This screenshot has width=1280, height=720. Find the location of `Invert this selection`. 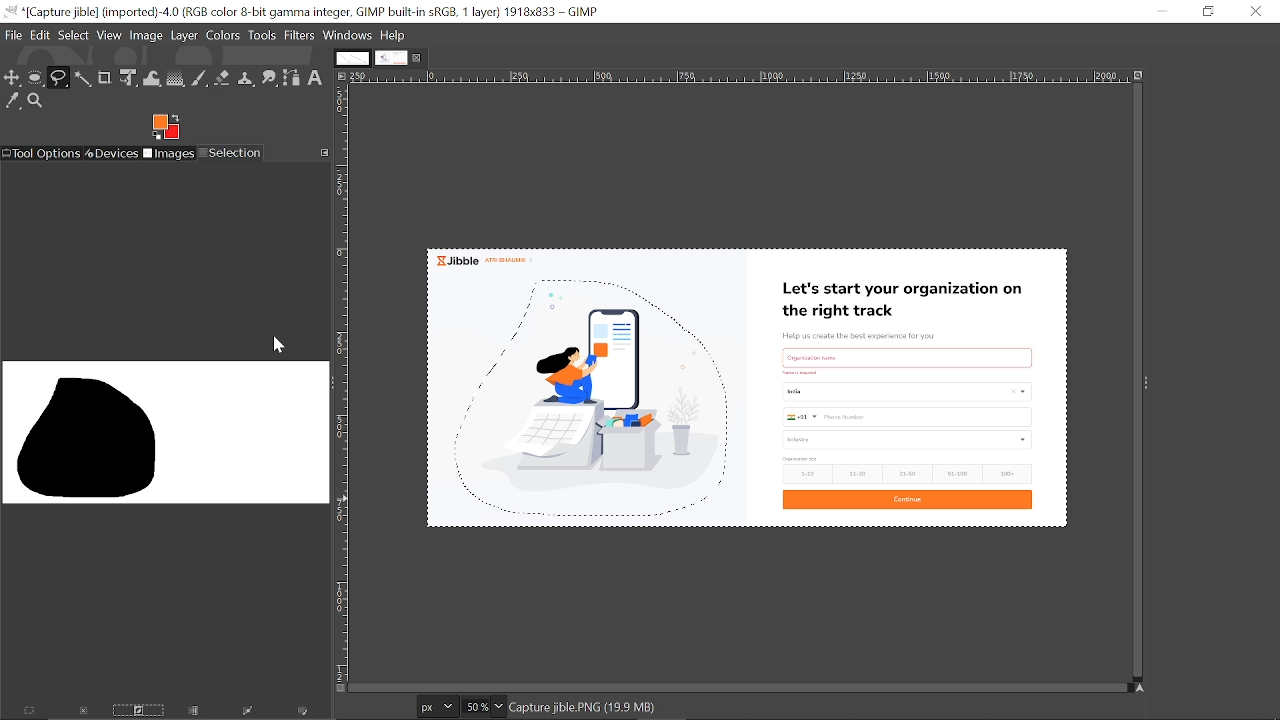

Invert this selection is located at coordinates (135, 712).